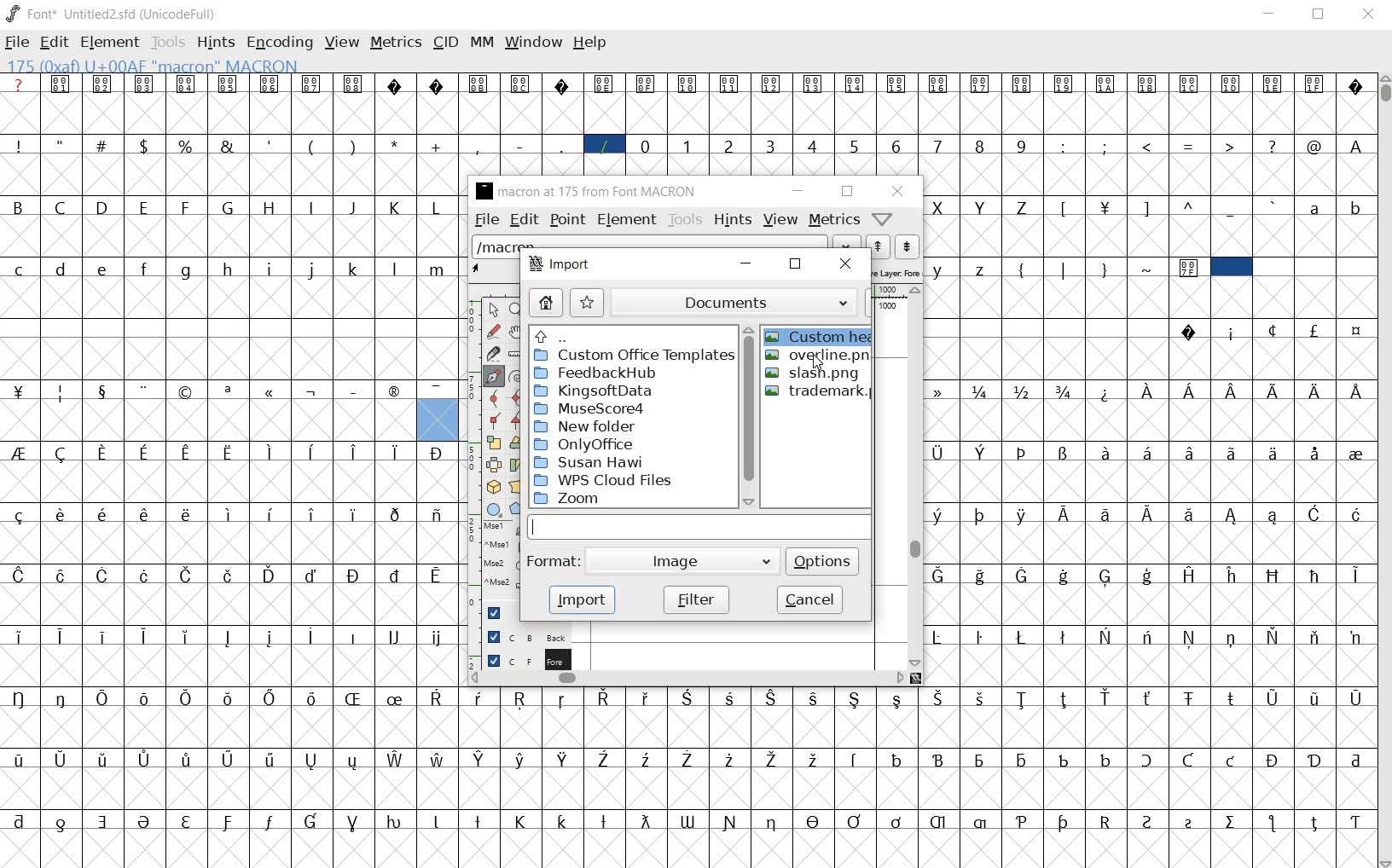 Image resolution: width=1392 pixels, height=868 pixels. I want to click on Symbol, so click(1314, 454).